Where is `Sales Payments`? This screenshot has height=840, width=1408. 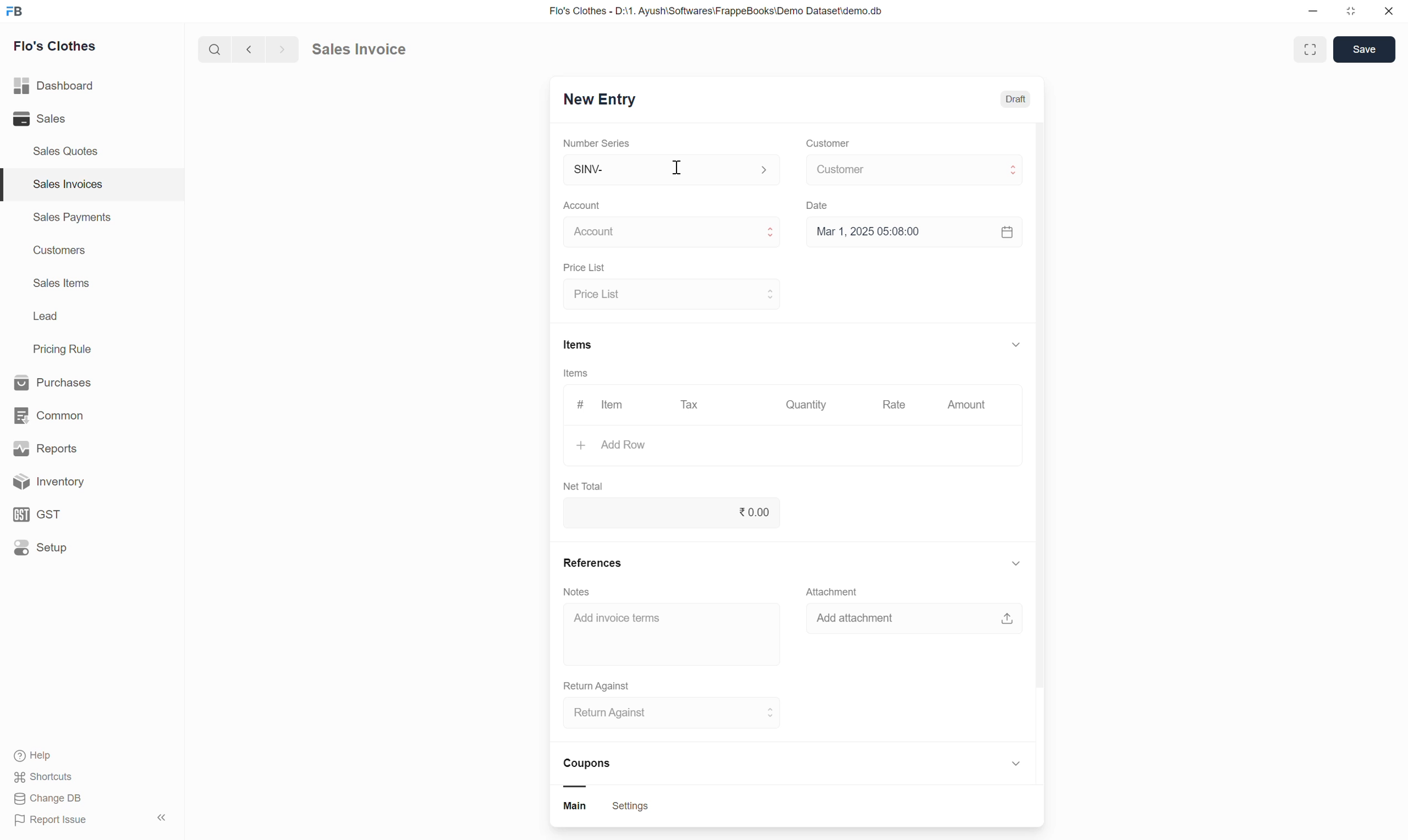 Sales Payments is located at coordinates (71, 219).